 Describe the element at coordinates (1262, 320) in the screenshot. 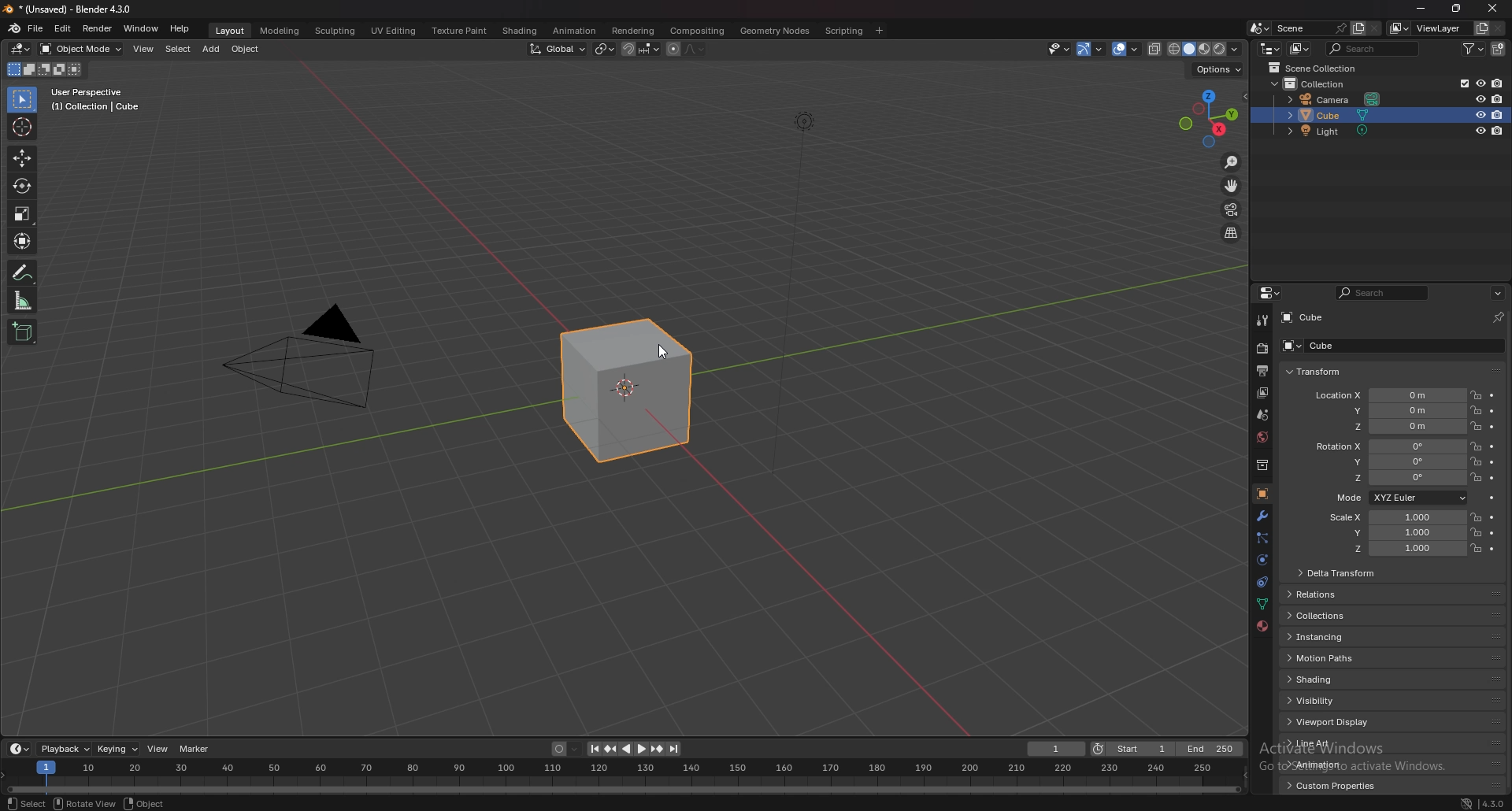

I see `tool` at that location.